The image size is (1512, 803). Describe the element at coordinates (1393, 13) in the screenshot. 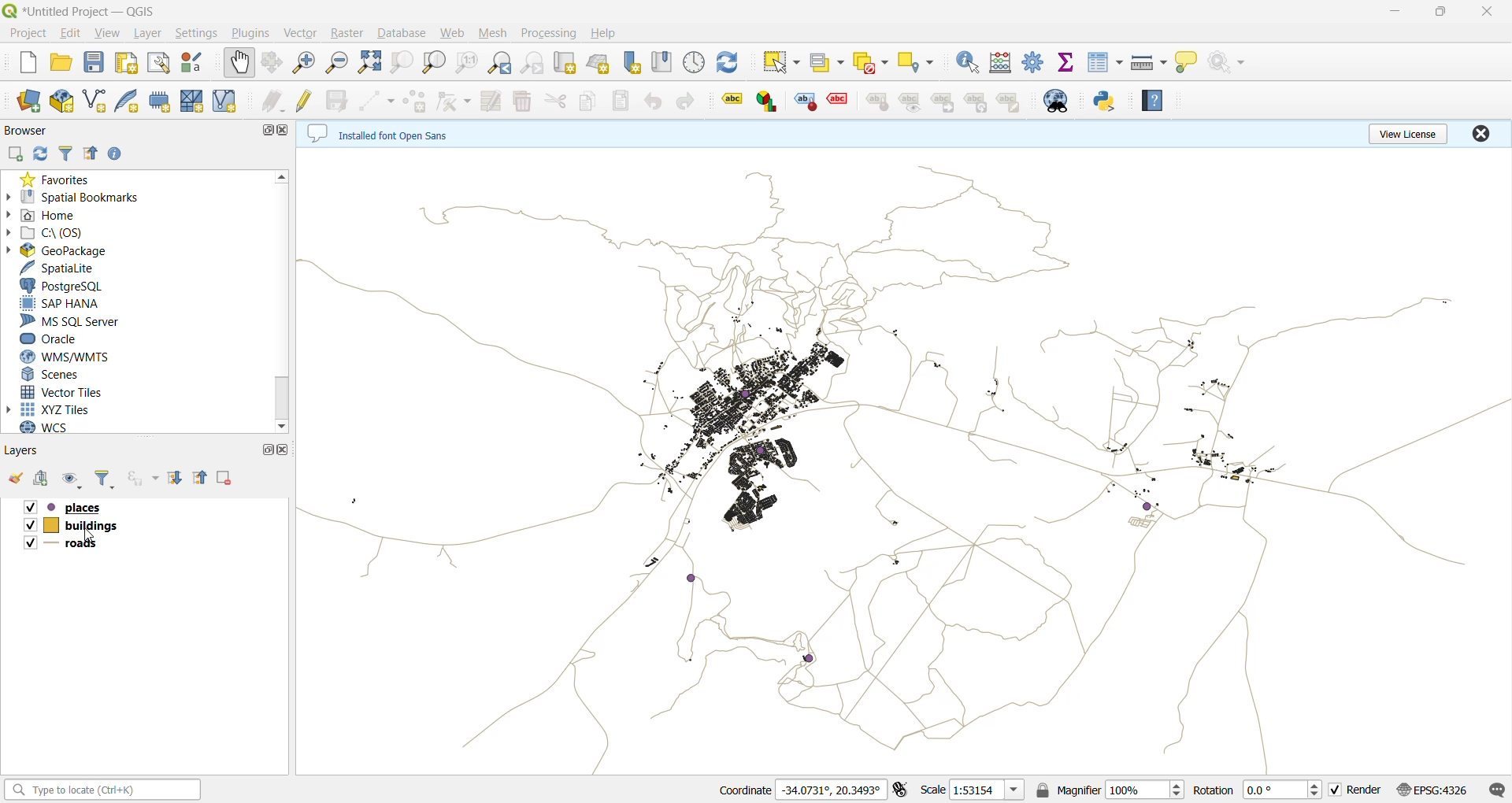

I see `minimzie` at that location.